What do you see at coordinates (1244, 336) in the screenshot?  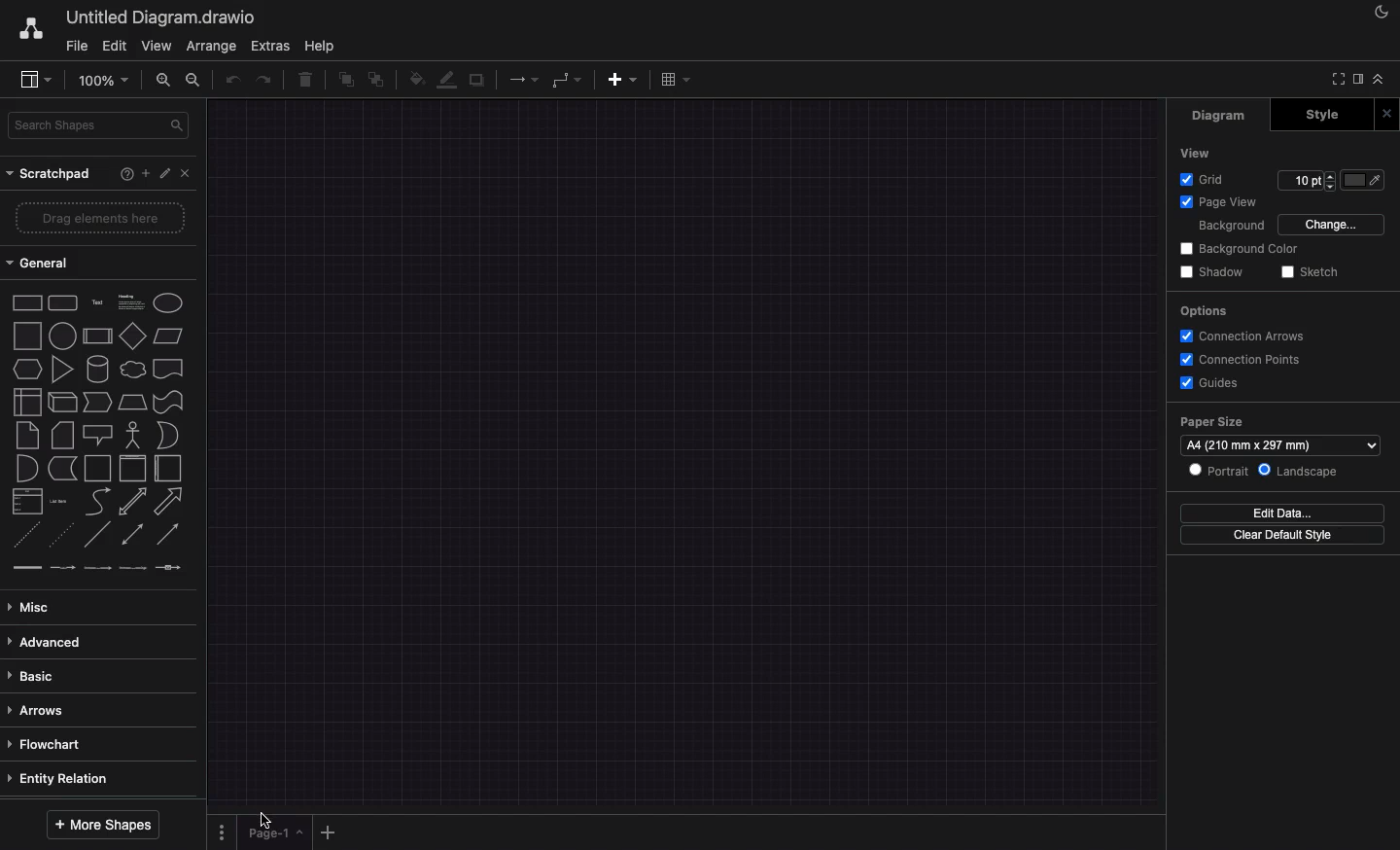 I see `connection arrows` at bounding box center [1244, 336].